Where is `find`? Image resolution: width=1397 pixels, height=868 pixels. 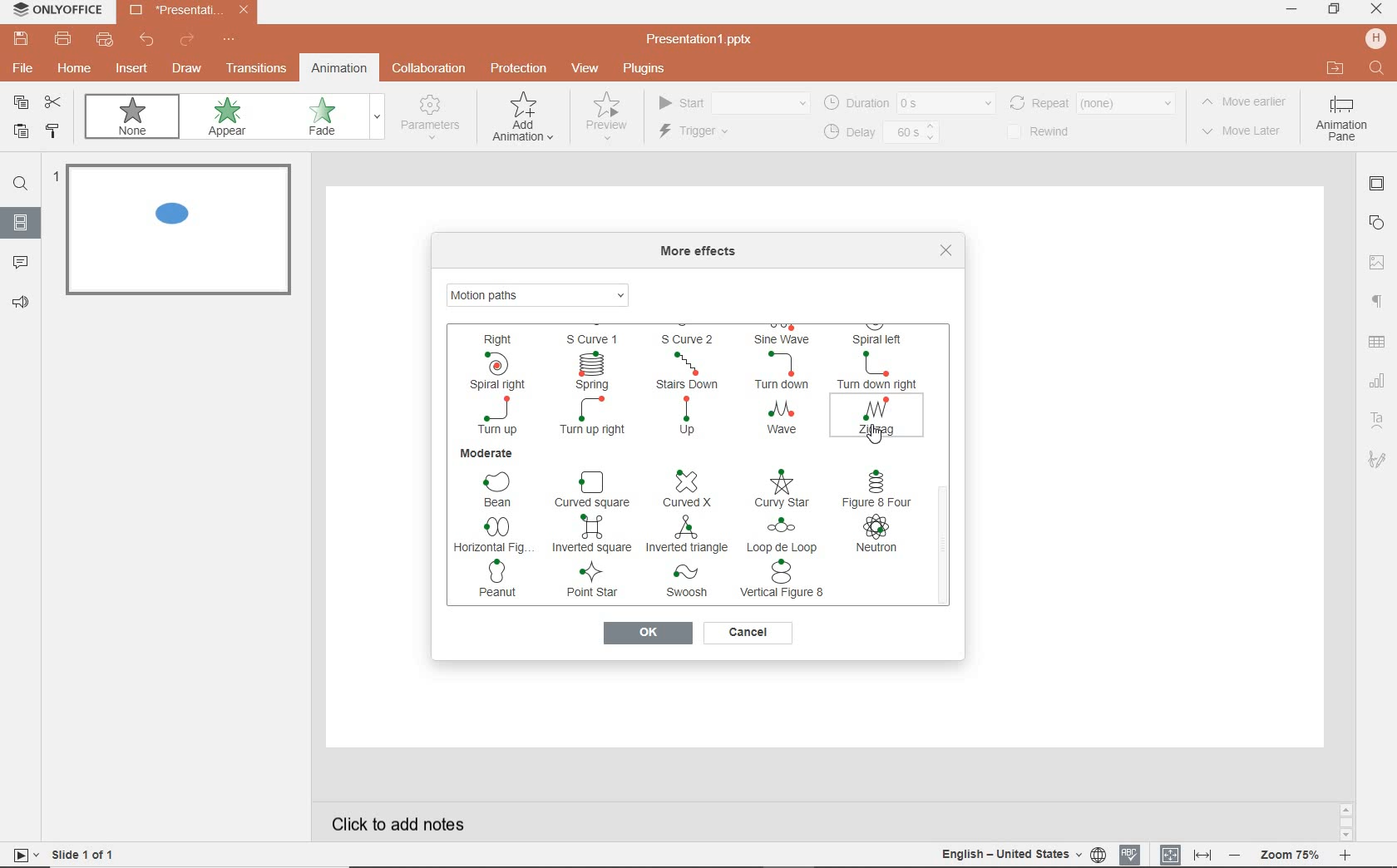
find is located at coordinates (1375, 67).